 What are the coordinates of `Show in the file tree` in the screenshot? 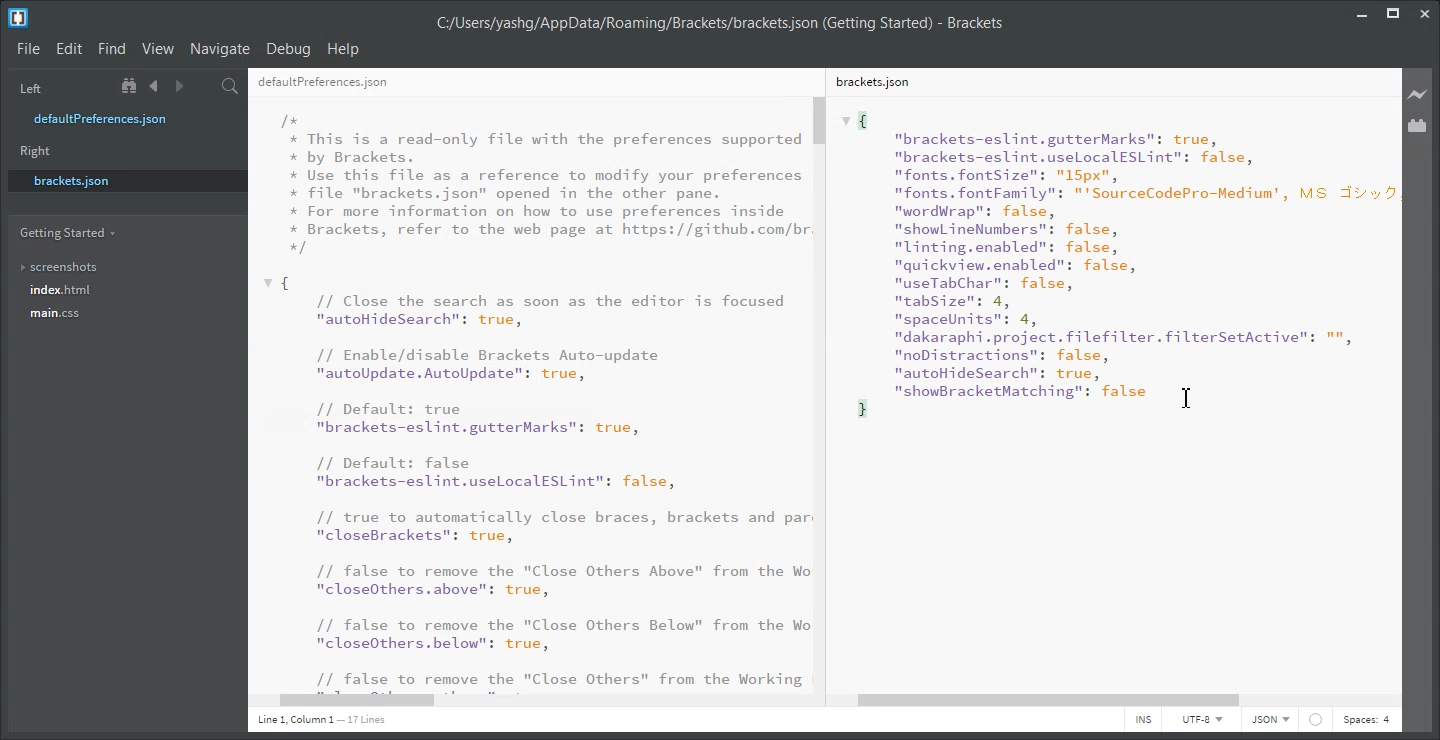 It's located at (131, 86).